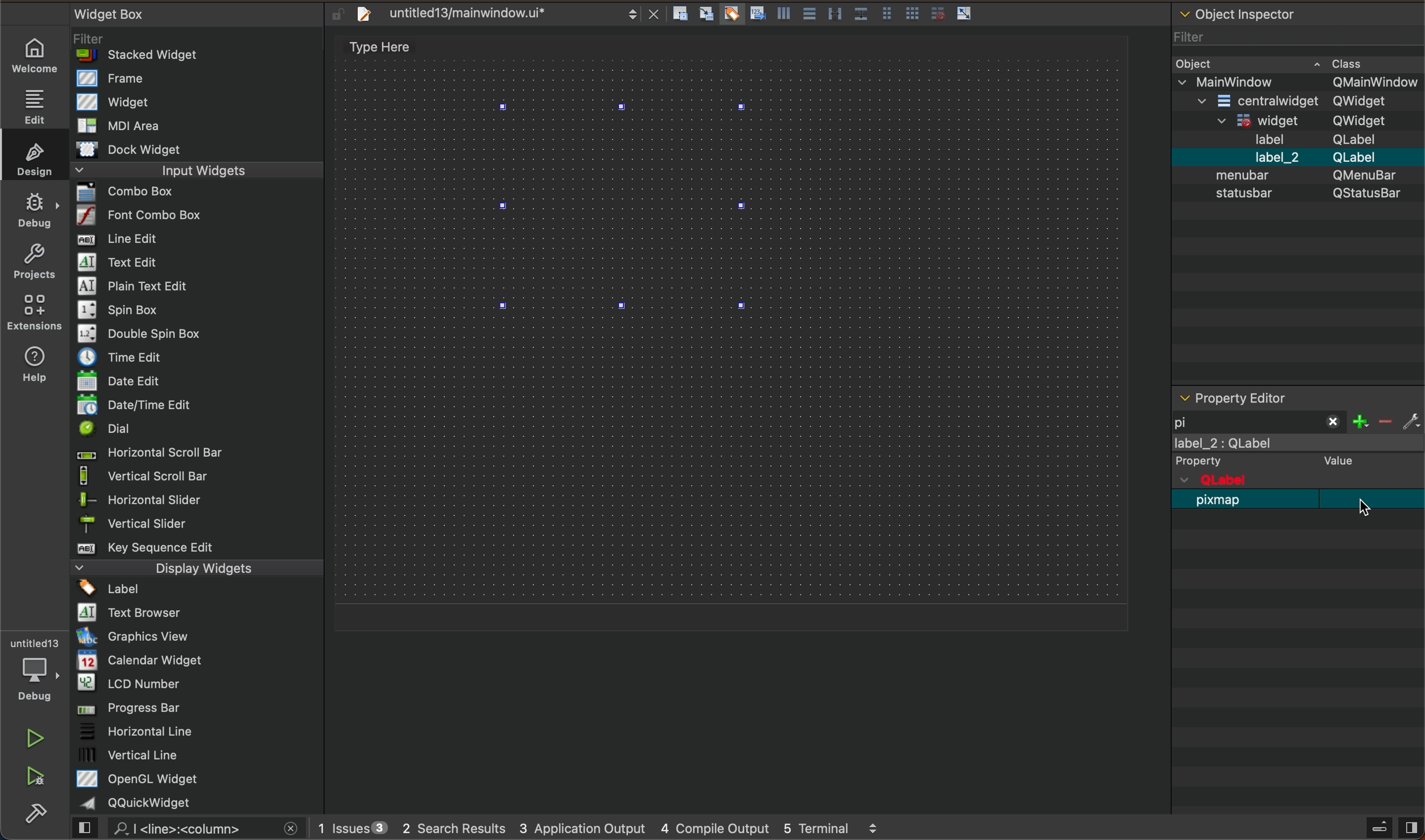  What do you see at coordinates (33, 259) in the screenshot?
I see `projects` at bounding box center [33, 259].